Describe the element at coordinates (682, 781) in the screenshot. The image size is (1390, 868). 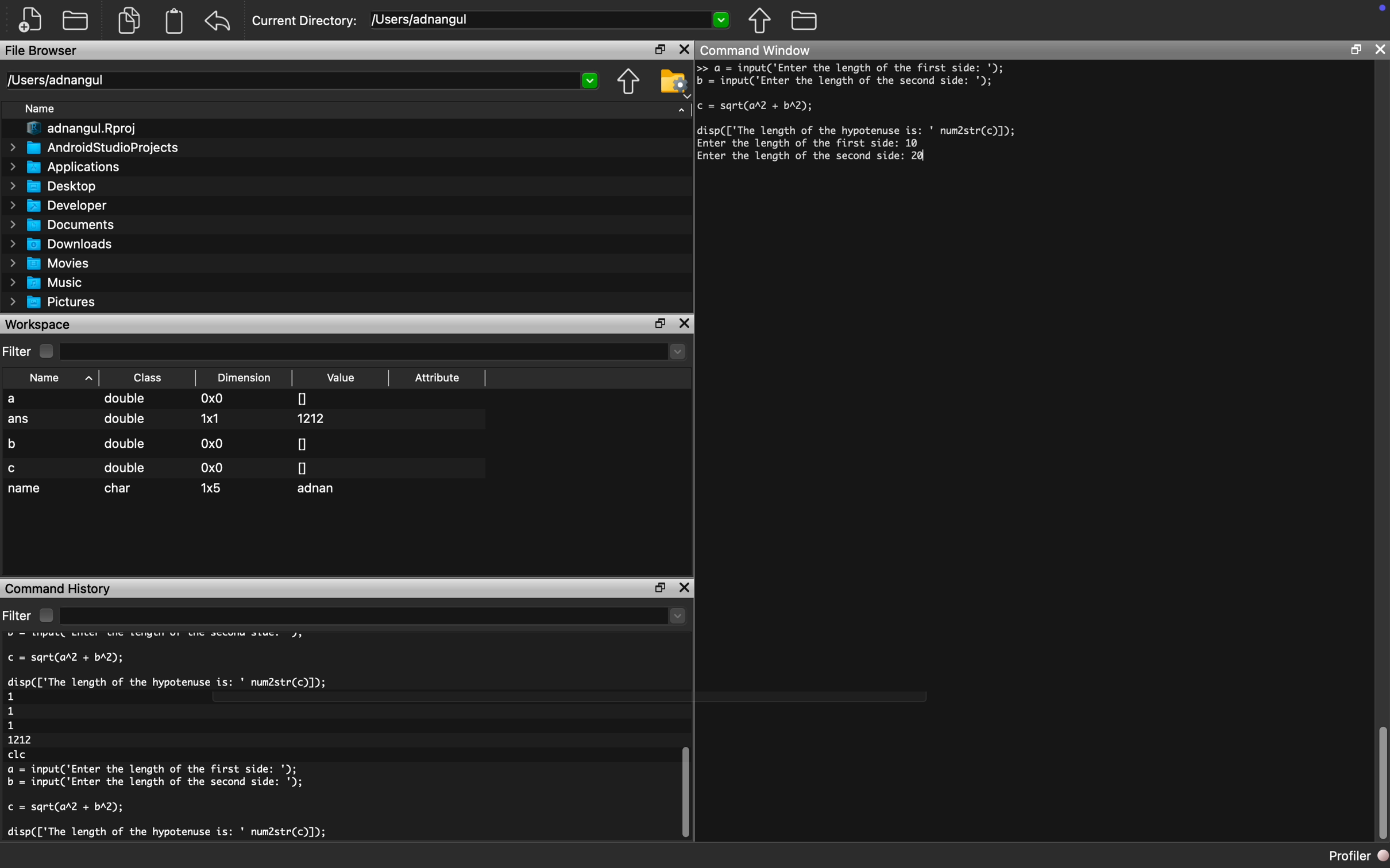
I see `vertical scroll bar` at that location.